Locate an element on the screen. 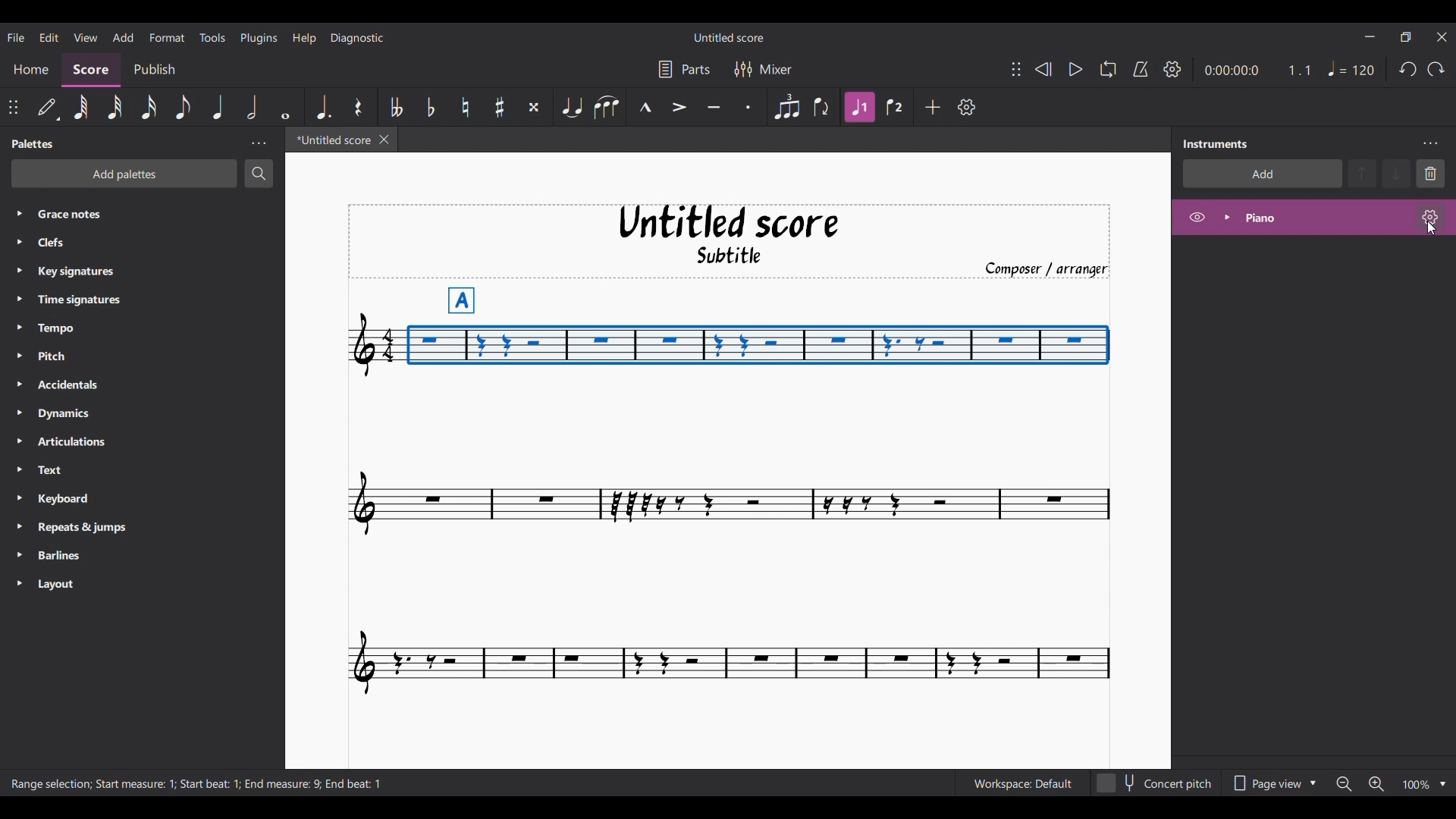 Image resolution: width=1456 pixels, height=819 pixels. A is located at coordinates (463, 296).